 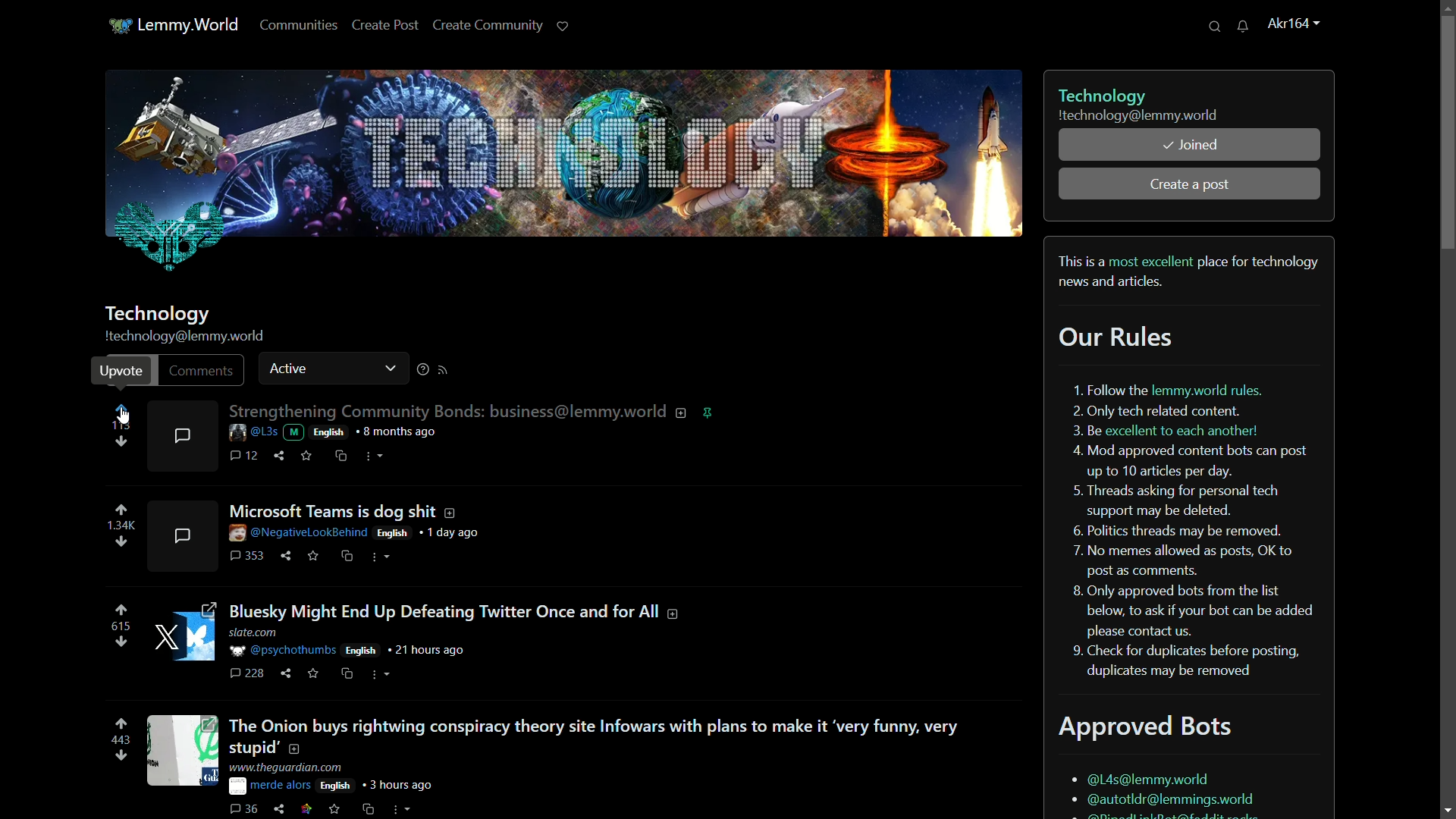 What do you see at coordinates (344, 453) in the screenshot?
I see `cs` at bounding box center [344, 453].